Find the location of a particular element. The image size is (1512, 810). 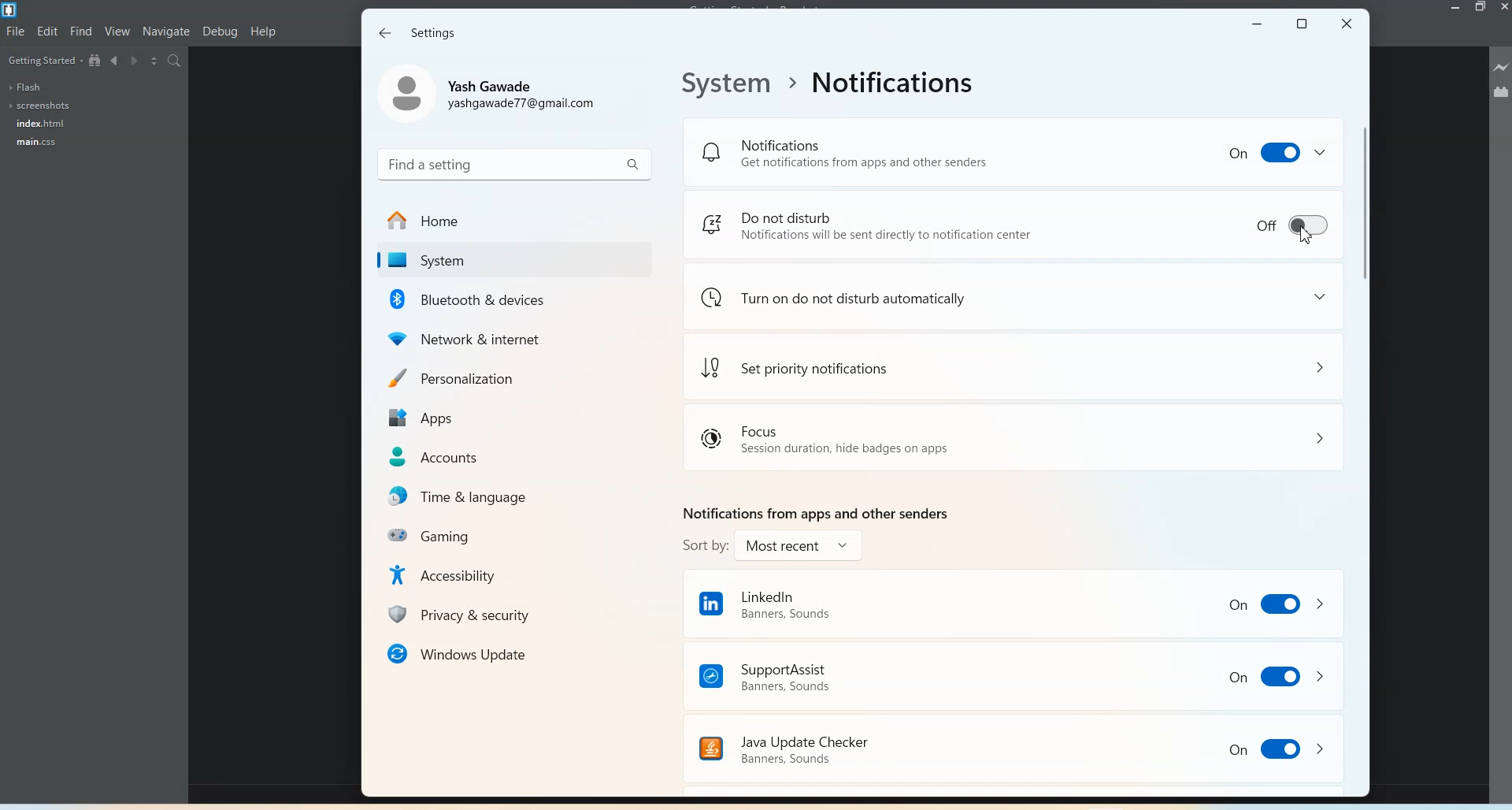

Time & languages is located at coordinates (509, 496).